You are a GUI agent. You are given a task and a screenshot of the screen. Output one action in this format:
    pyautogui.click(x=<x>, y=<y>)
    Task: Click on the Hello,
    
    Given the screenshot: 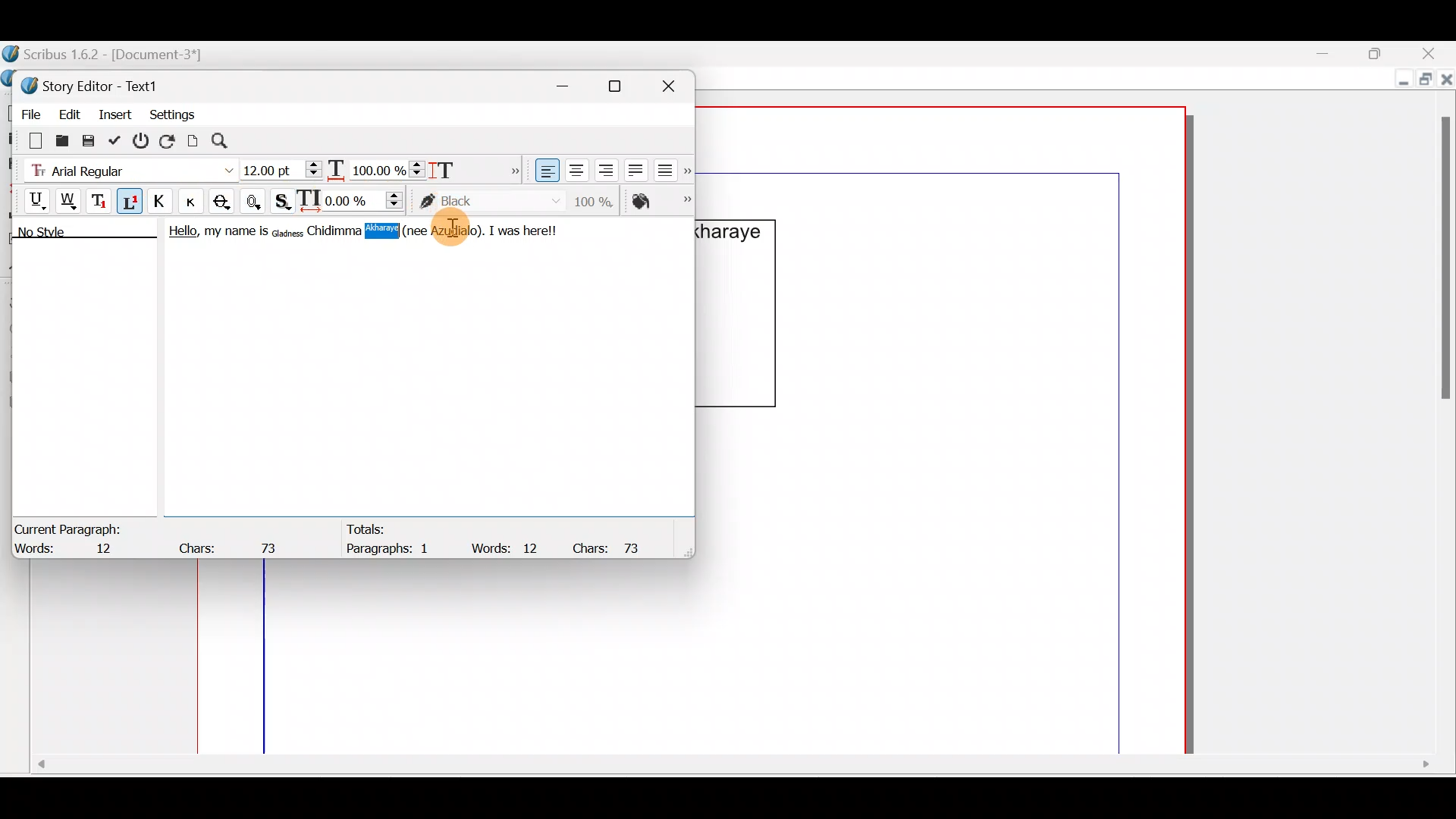 What is the action you would take?
    pyautogui.click(x=179, y=234)
    